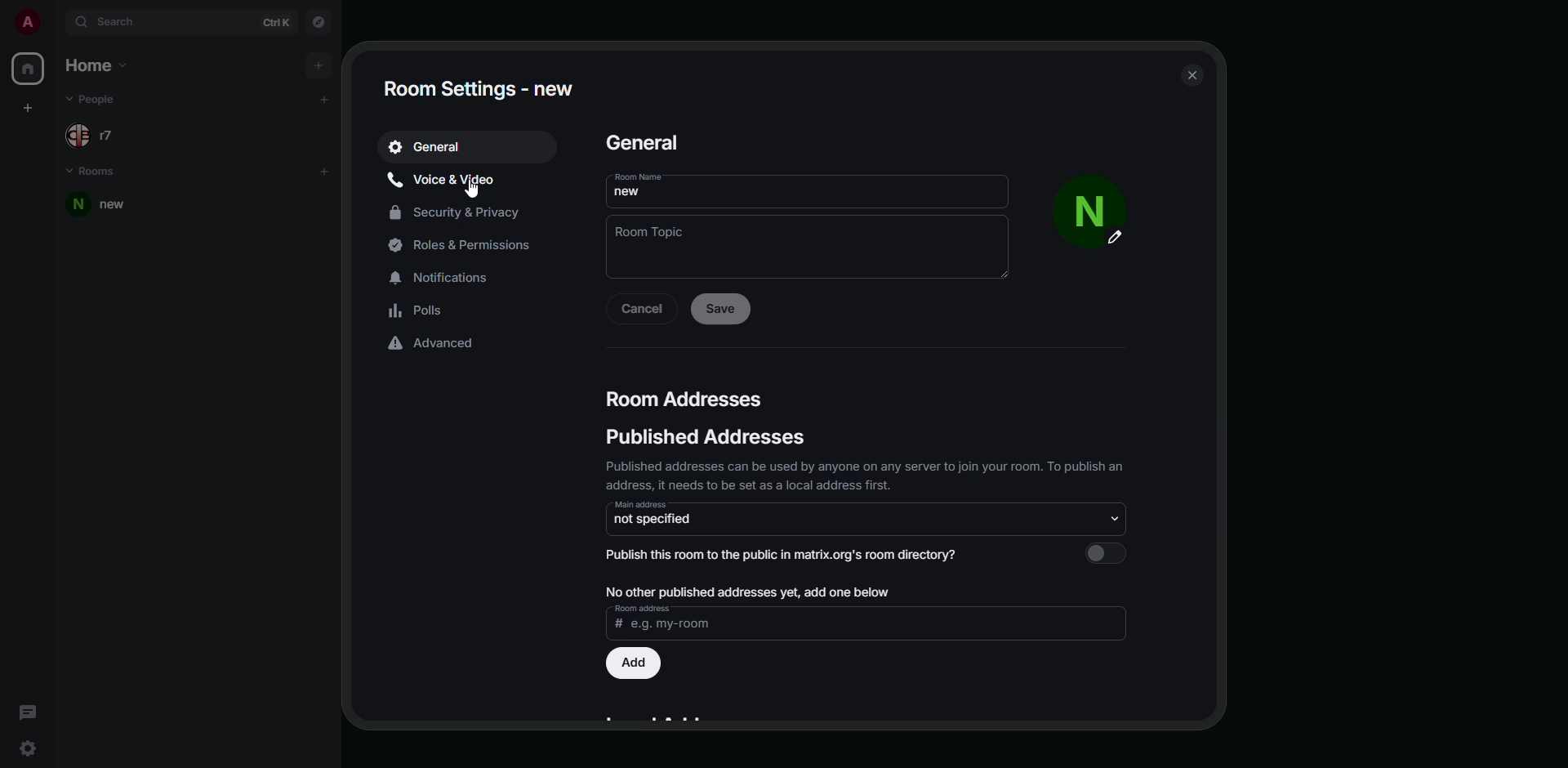 This screenshot has height=768, width=1568. What do you see at coordinates (100, 97) in the screenshot?
I see `people` at bounding box center [100, 97].